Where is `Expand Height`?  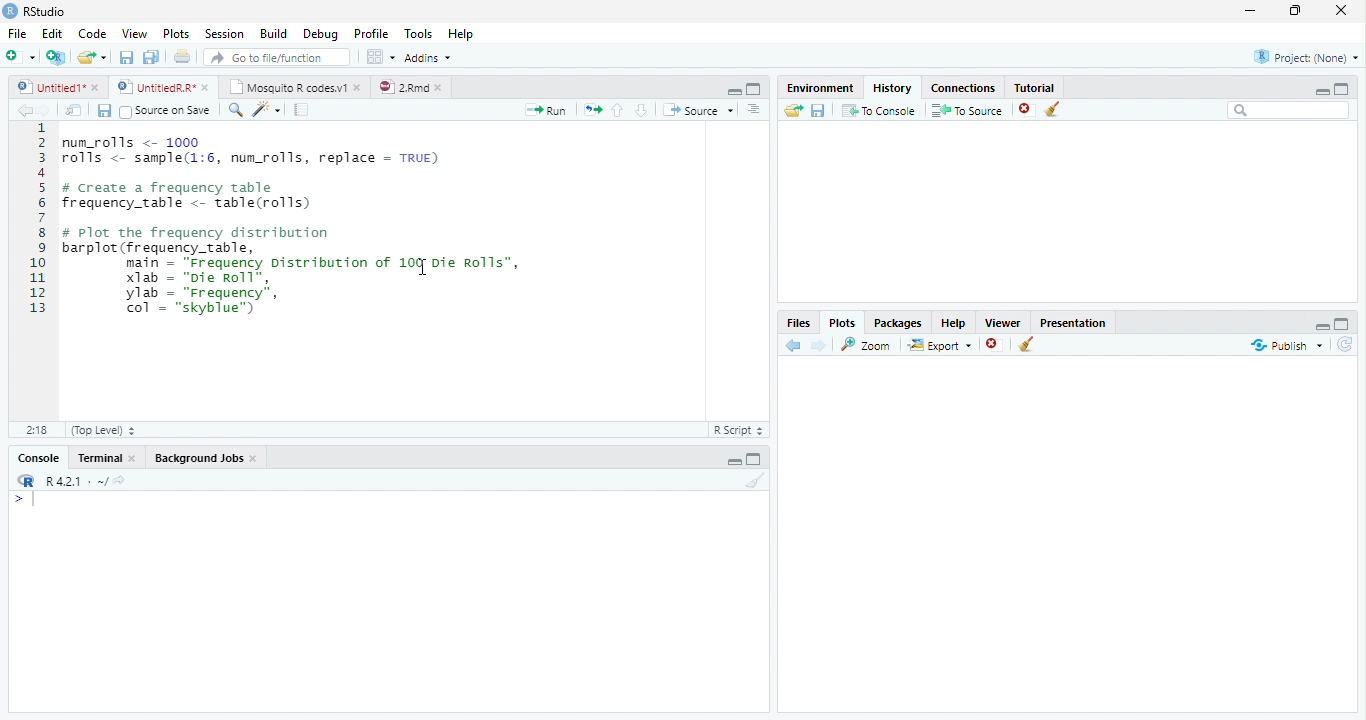
Expand Height is located at coordinates (755, 459).